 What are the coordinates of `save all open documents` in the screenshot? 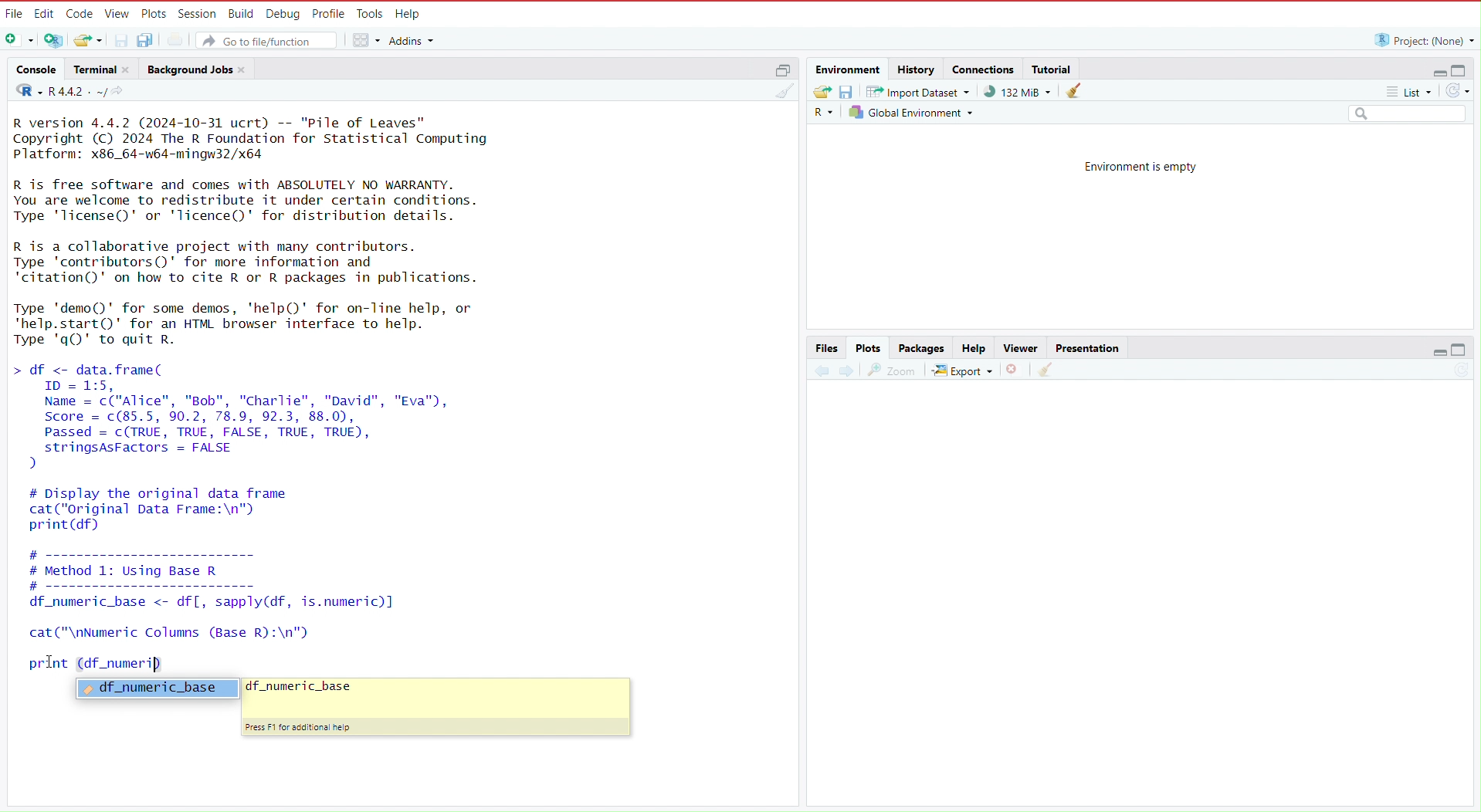 It's located at (147, 40).